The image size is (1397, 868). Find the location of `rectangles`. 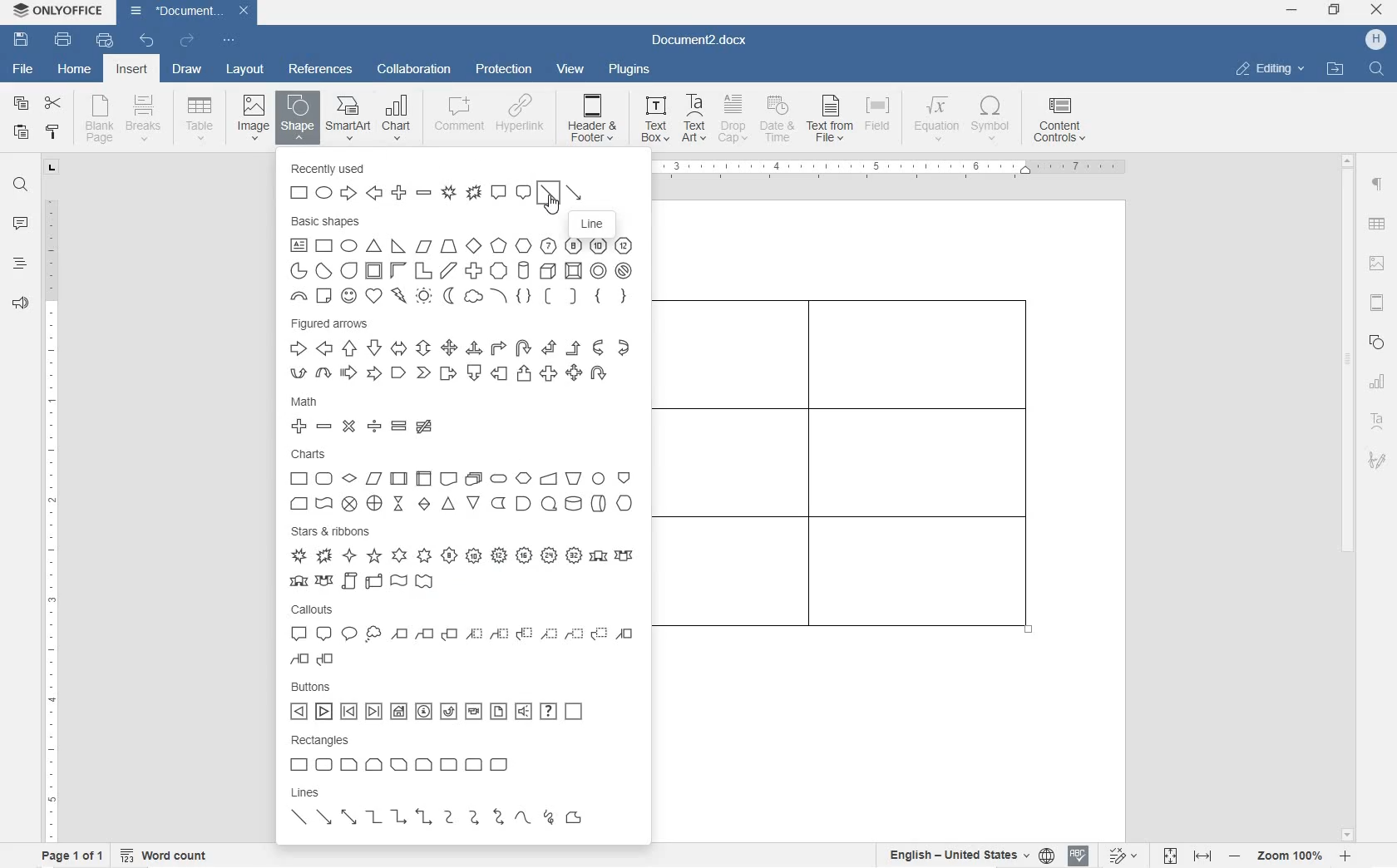

rectangles is located at coordinates (462, 756).